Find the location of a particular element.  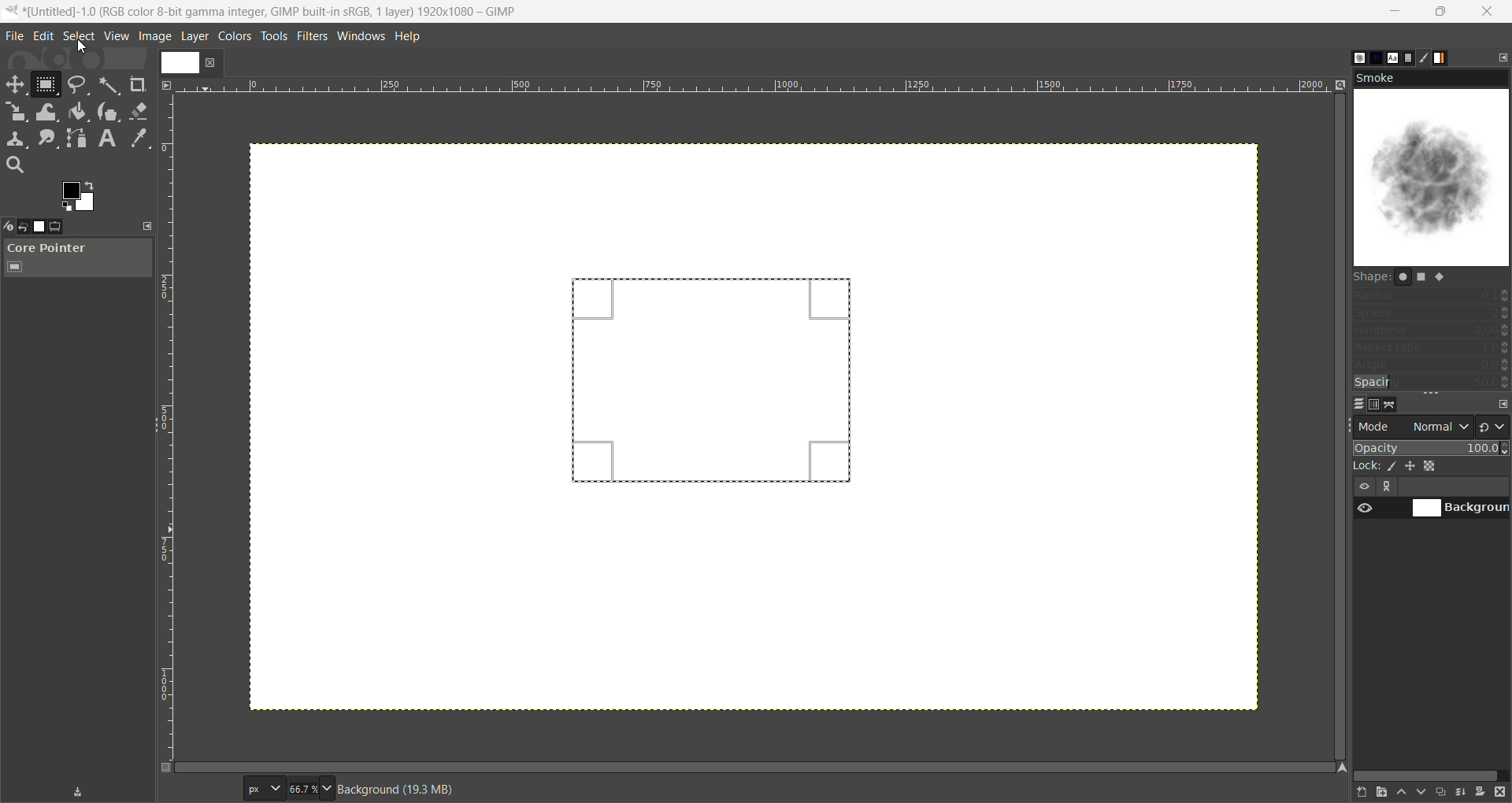

pattern is located at coordinates (1373, 57).